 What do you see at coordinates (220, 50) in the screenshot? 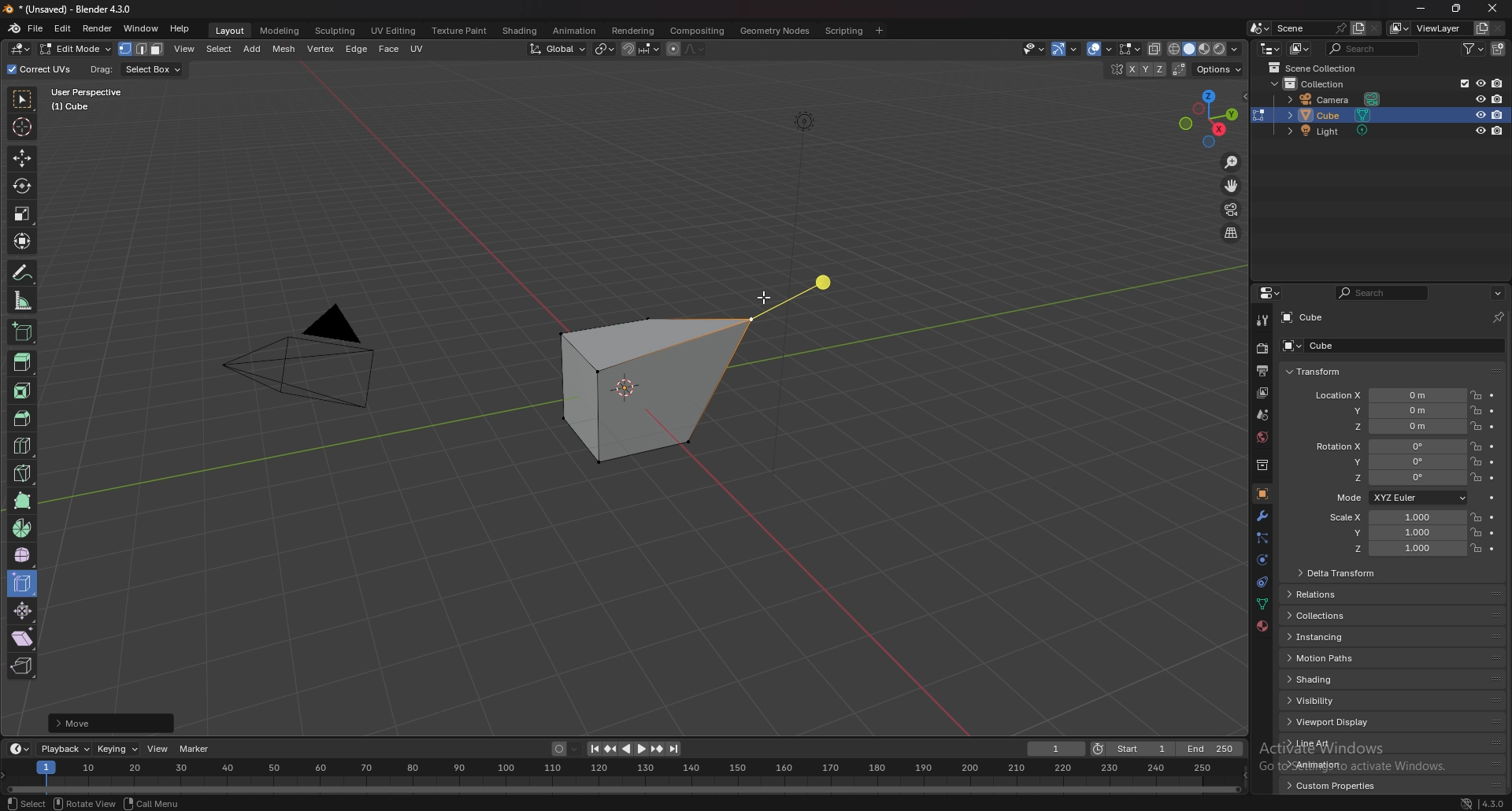
I see `select` at bounding box center [220, 50].